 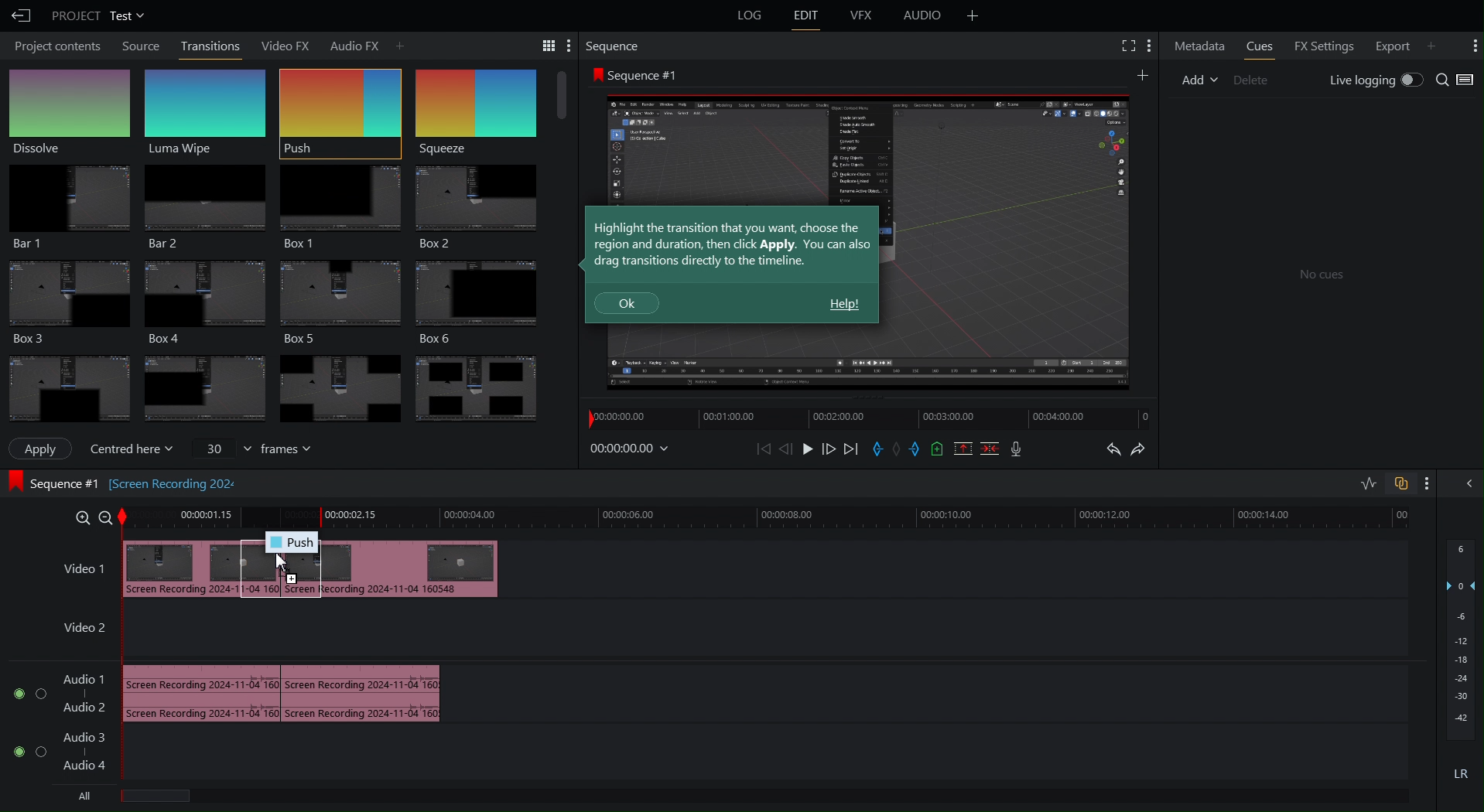 What do you see at coordinates (1143, 449) in the screenshot?
I see `Redo` at bounding box center [1143, 449].